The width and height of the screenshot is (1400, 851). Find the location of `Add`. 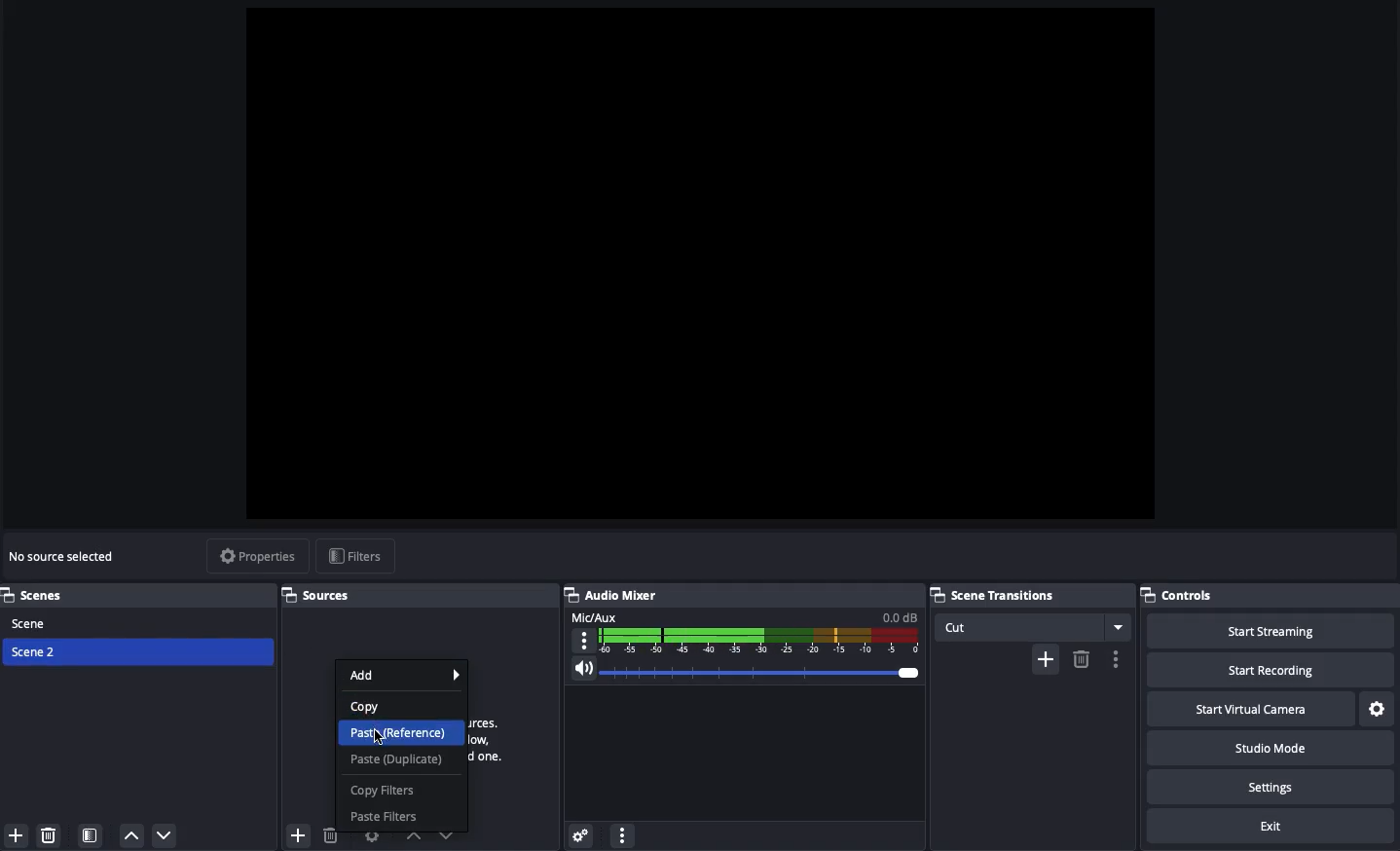

Add is located at coordinates (18, 834).